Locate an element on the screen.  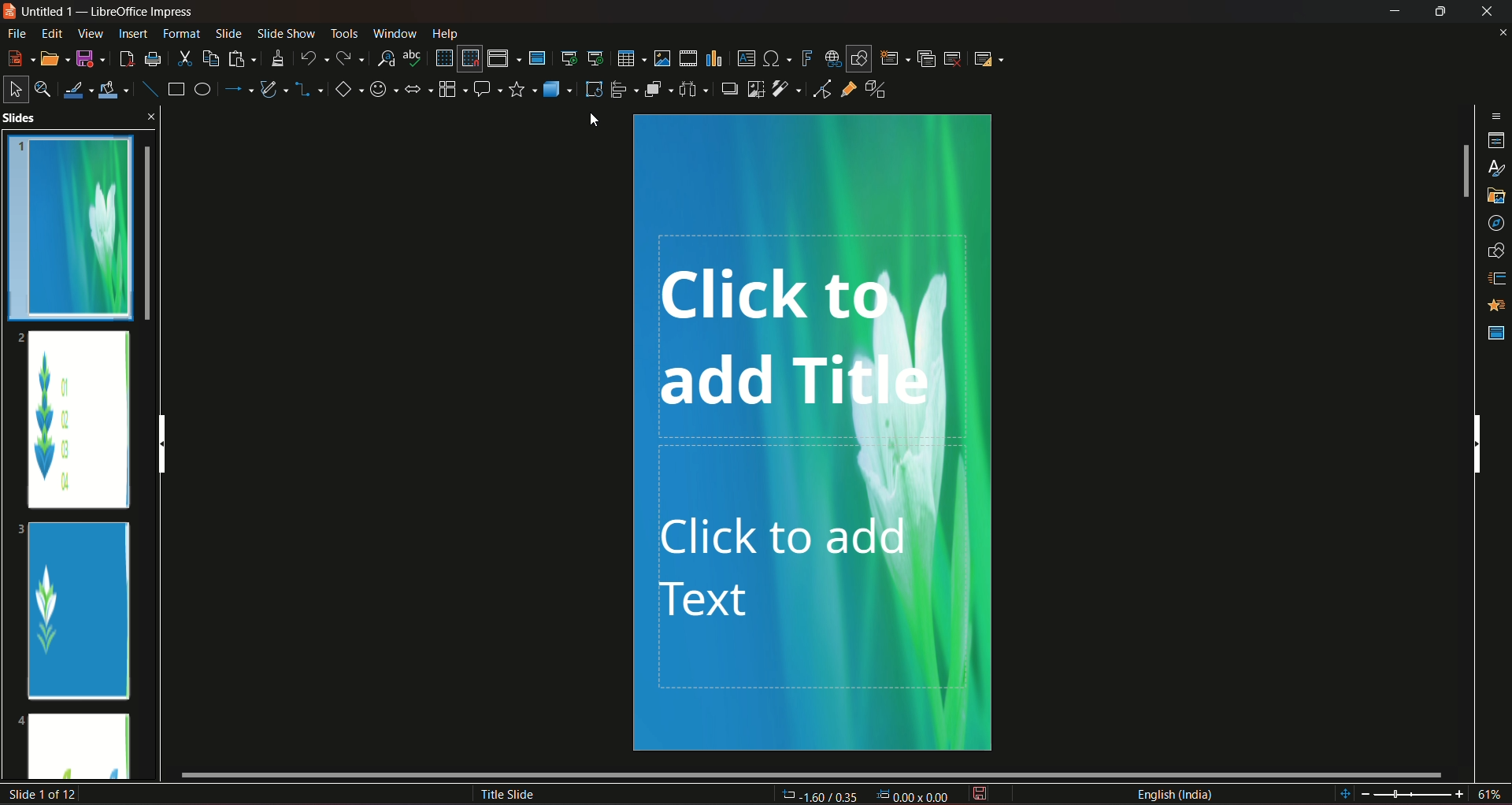
cut is located at coordinates (184, 57).